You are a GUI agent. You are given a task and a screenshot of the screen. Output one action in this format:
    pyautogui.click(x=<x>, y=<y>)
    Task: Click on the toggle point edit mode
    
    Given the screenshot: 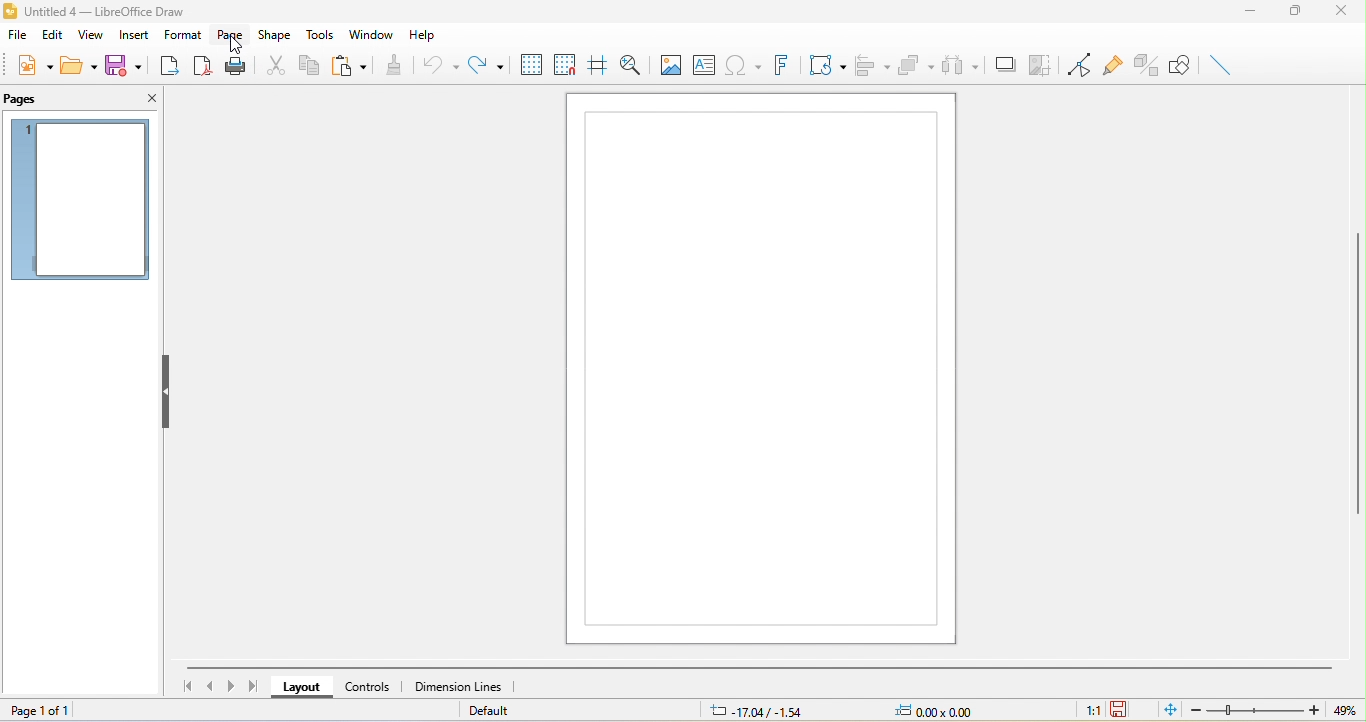 What is the action you would take?
    pyautogui.click(x=1080, y=65)
    